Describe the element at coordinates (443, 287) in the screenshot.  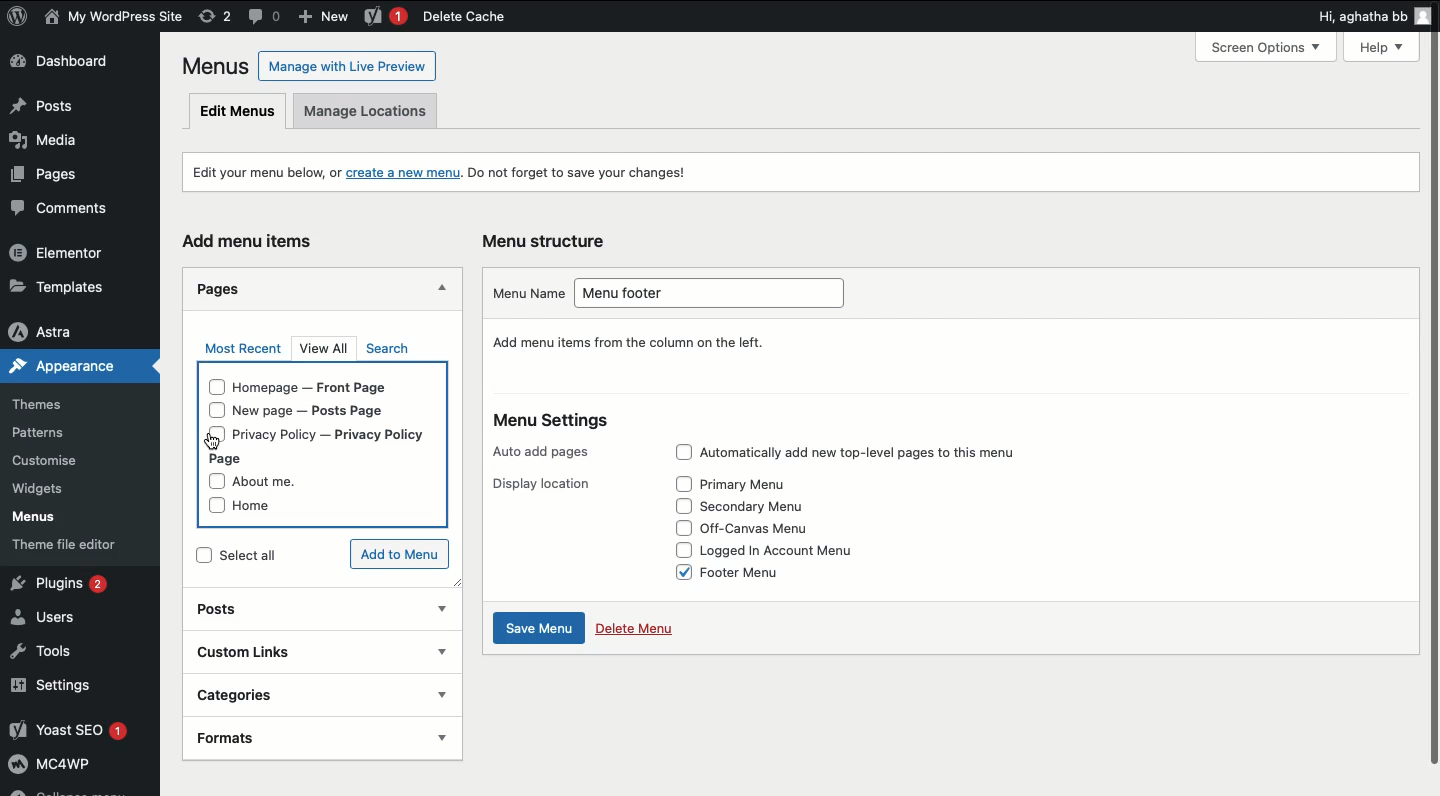
I see `Hide` at that location.